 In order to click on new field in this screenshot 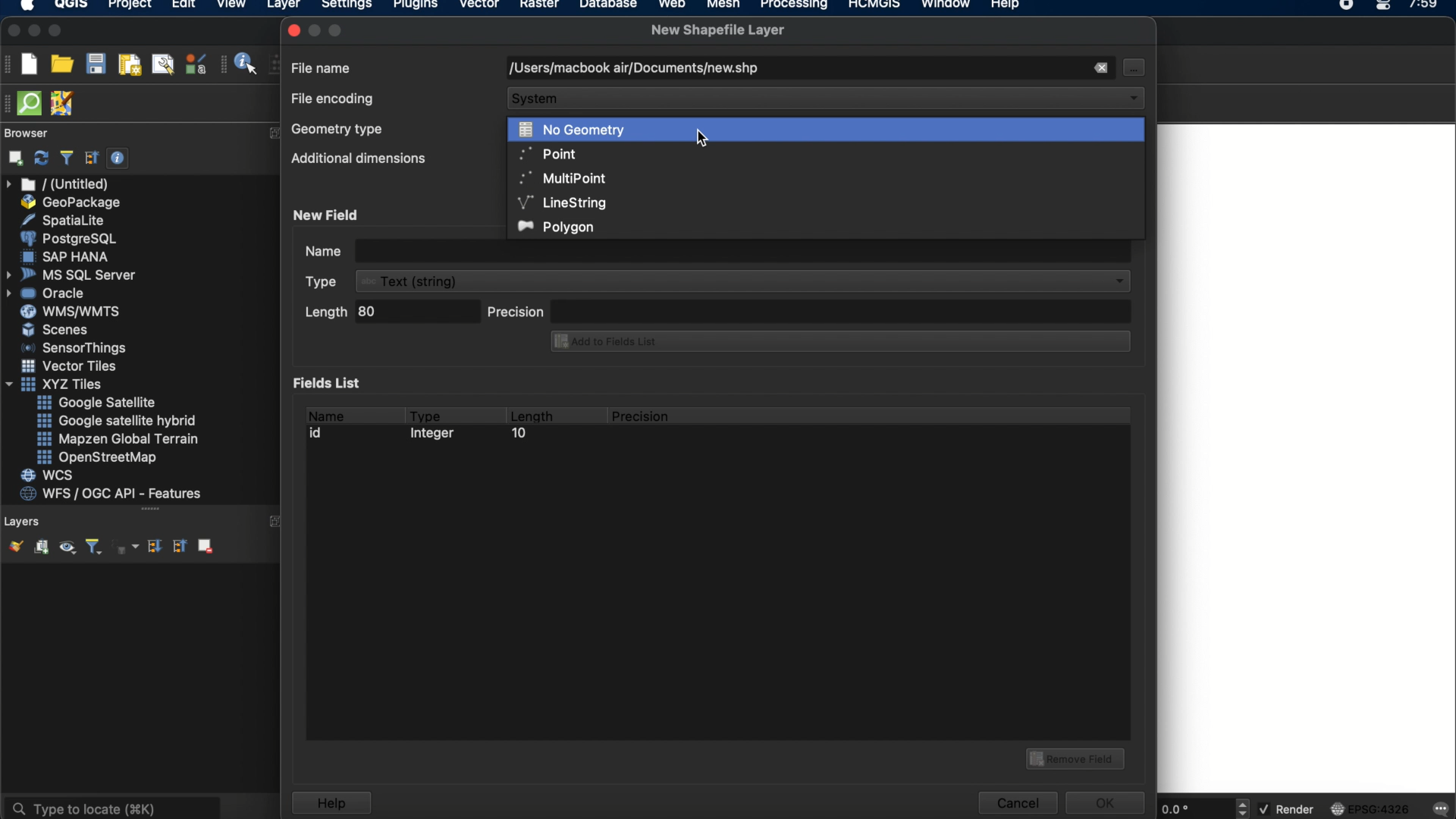, I will do `click(328, 215)`.